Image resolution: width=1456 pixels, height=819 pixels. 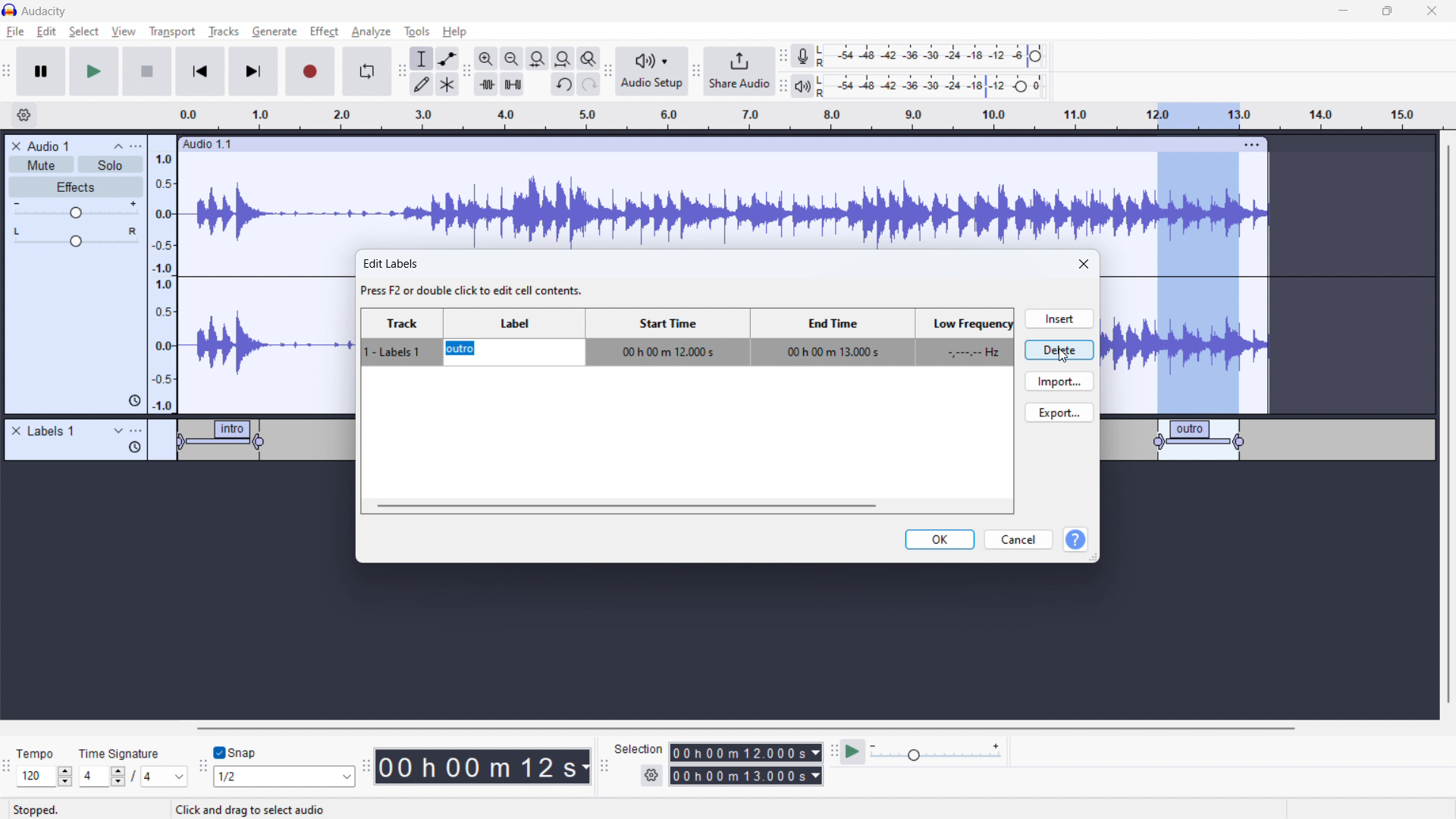 What do you see at coordinates (422, 83) in the screenshot?
I see `draw tool` at bounding box center [422, 83].